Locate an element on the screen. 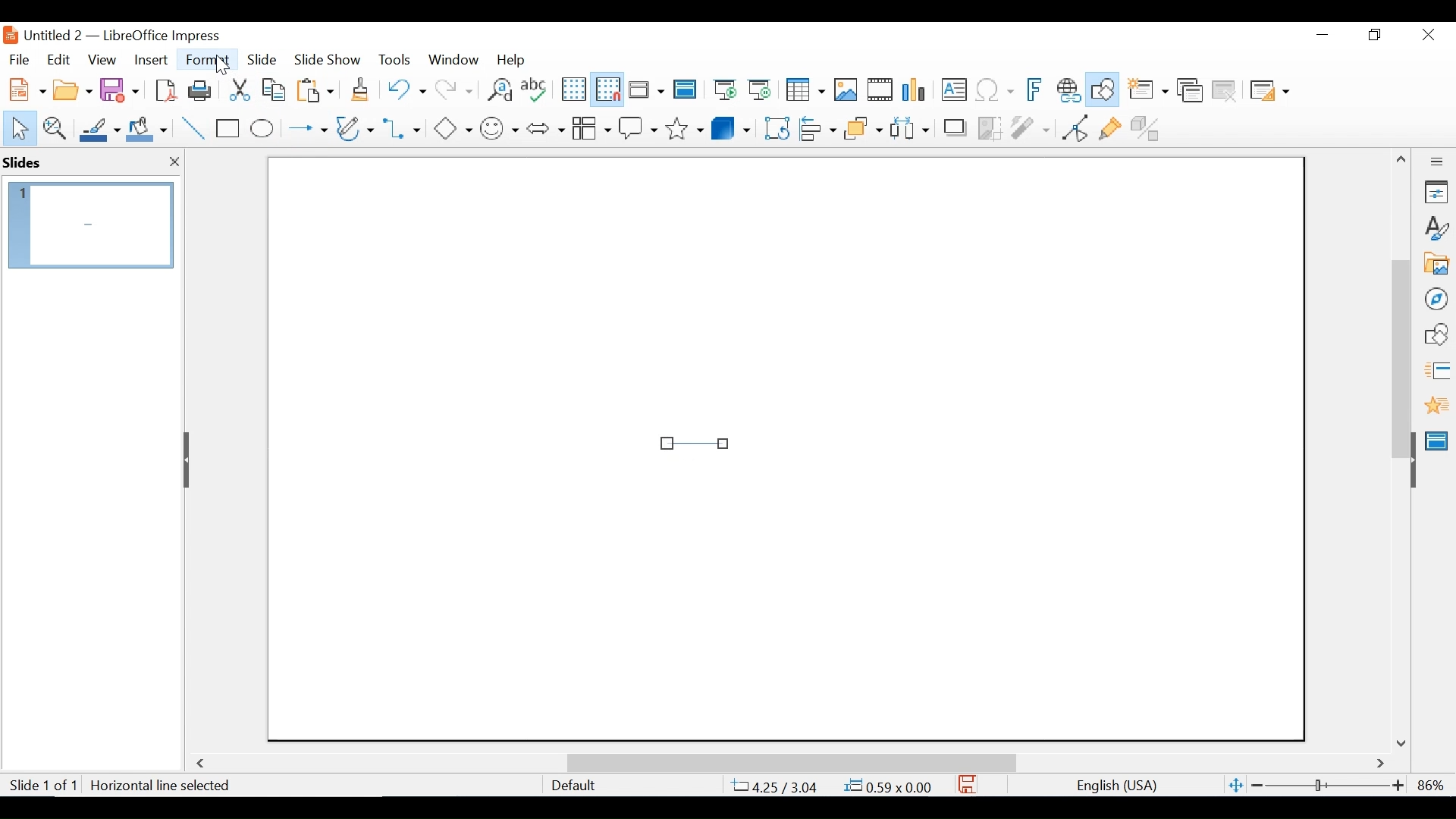 The image size is (1456, 819). Spelling is located at coordinates (536, 89).